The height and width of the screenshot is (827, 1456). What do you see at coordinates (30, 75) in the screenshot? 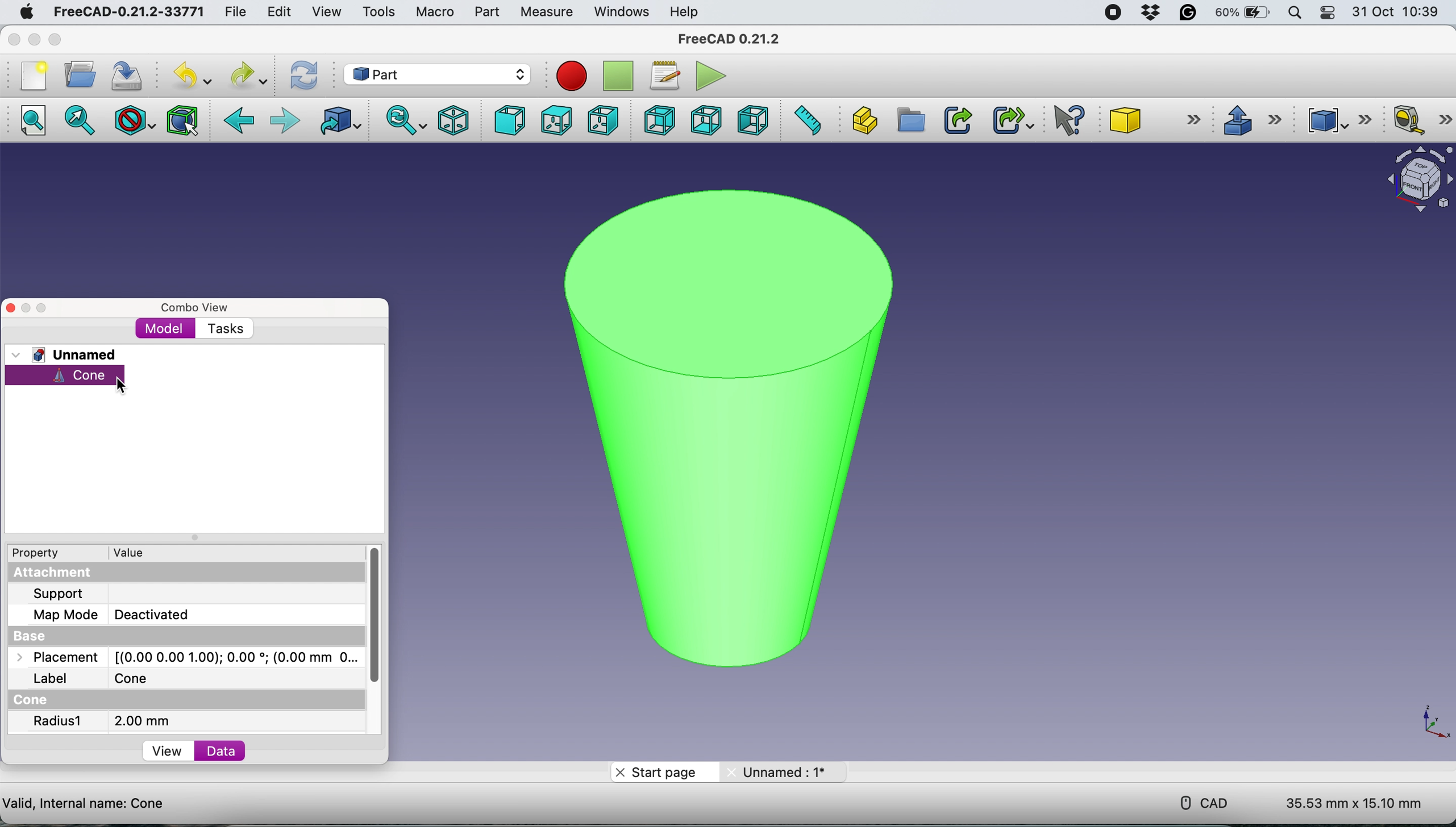
I see `new` at bounding box center [30, 75].